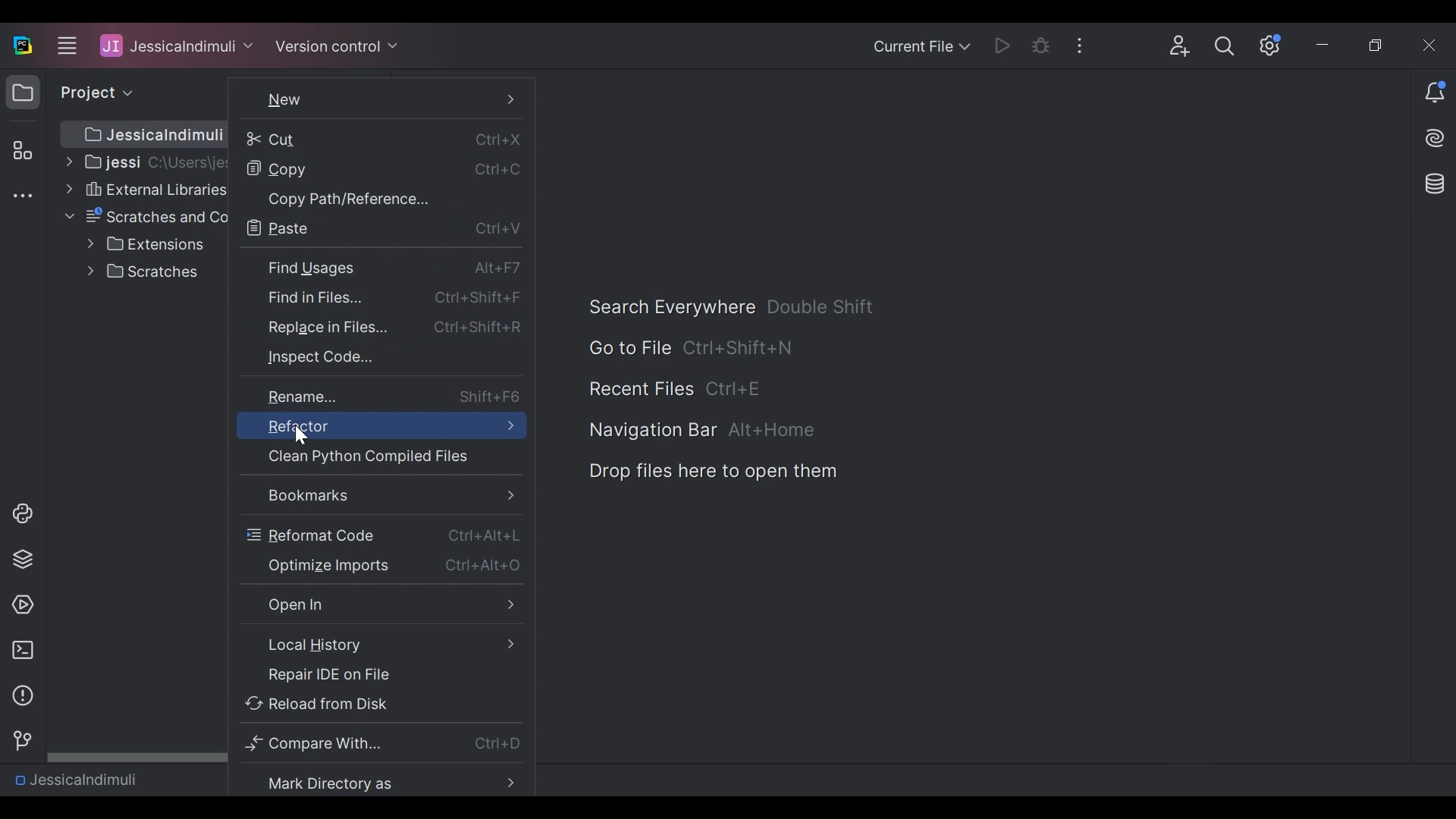 This screenshot has height=819, width=1456. Describe the element at coordinates (670, 307) in the screenshot. I see `Search Everywhere` at that location.